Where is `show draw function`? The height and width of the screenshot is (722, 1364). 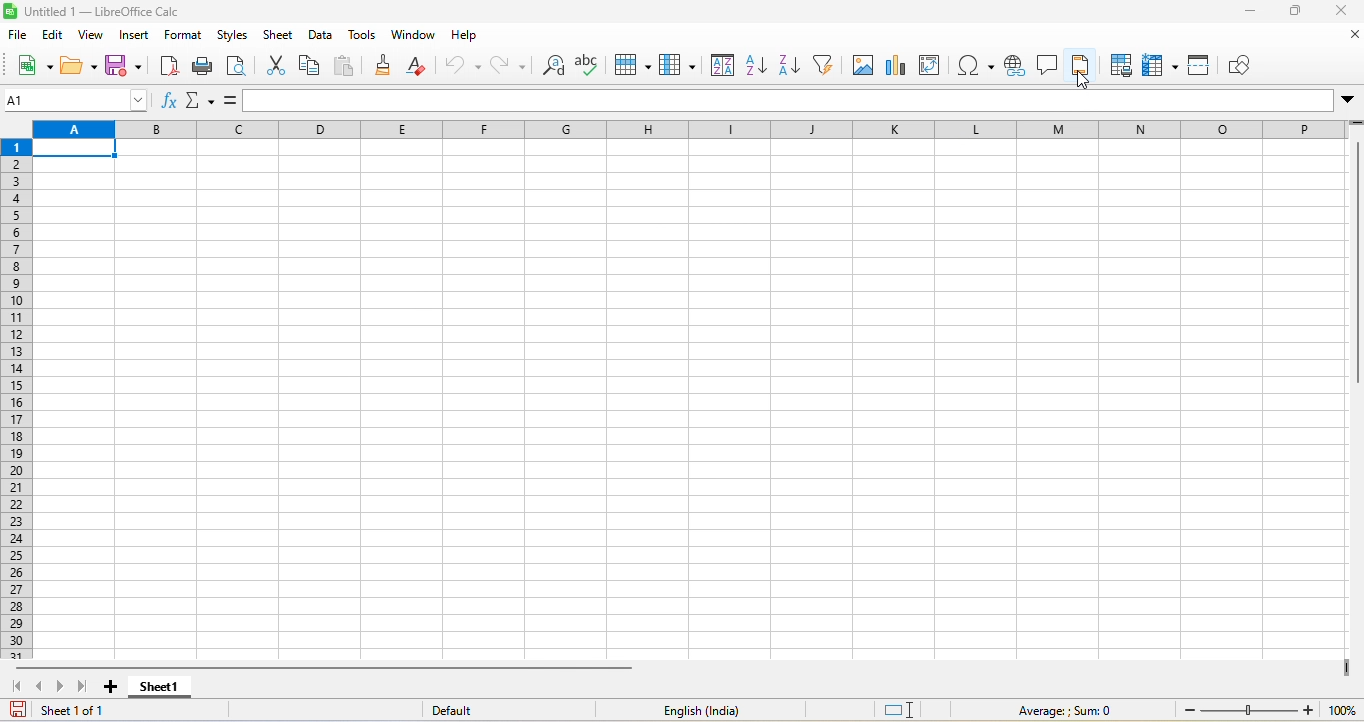 show draw function is located at coordinates (1247, 64).